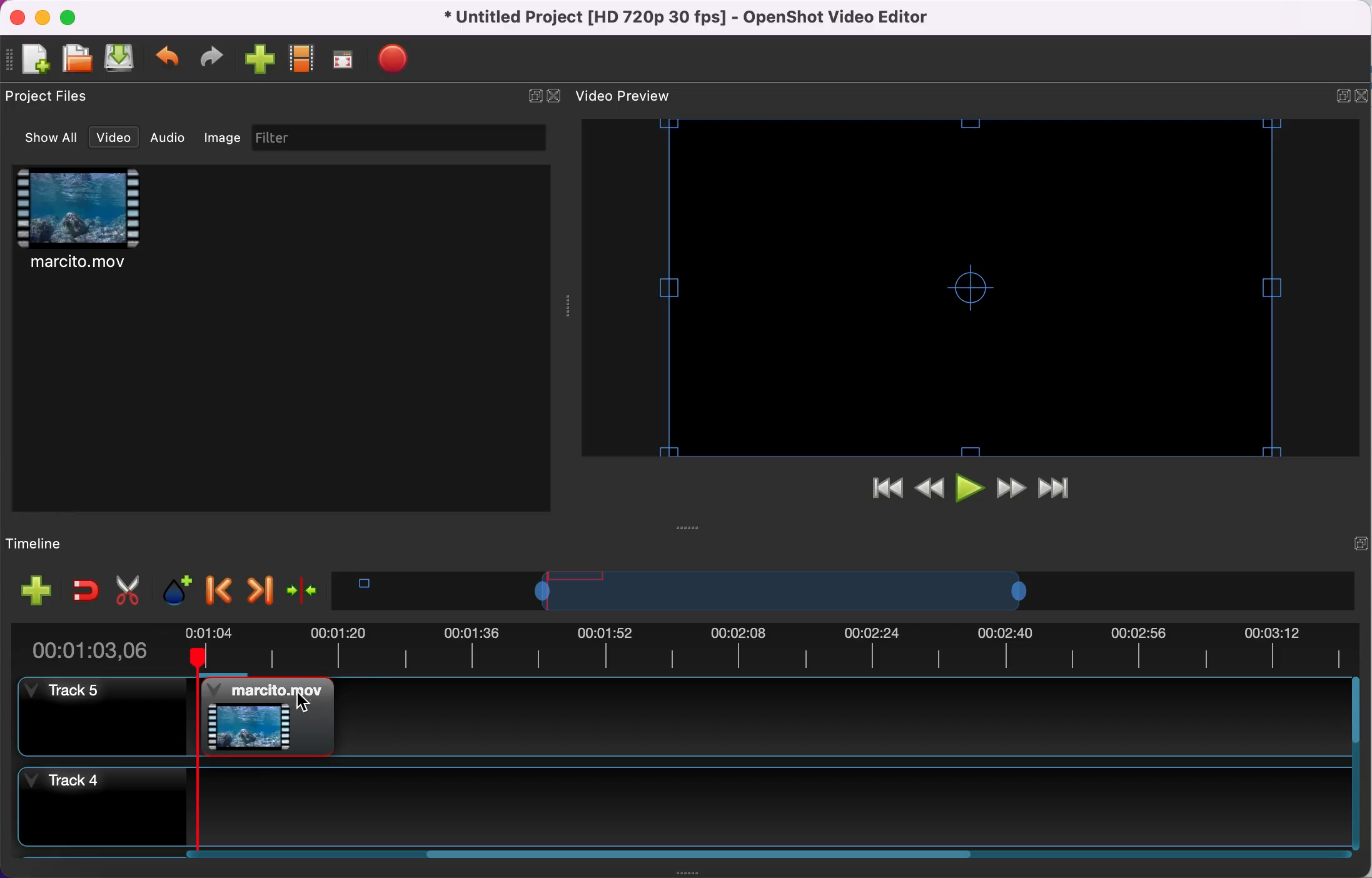 This screenshot has height=878, width=1372. What do you see at coordinates (259, 59) in the screenshot?
I see `import file` at bounding box center [259, 59].